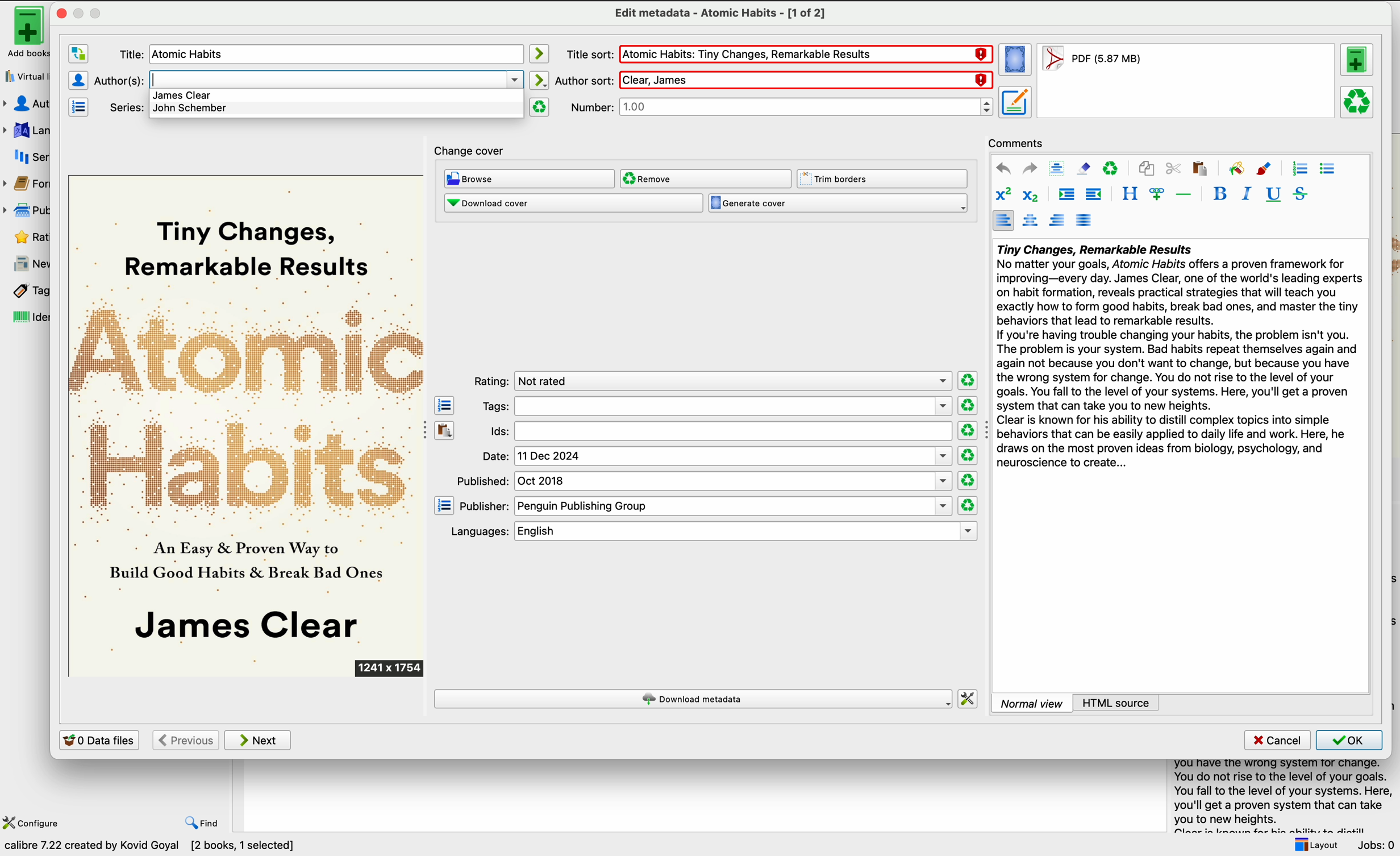  Describe the element at coordinates (1274, 195) in the screenshot. I see `underline` at that location.